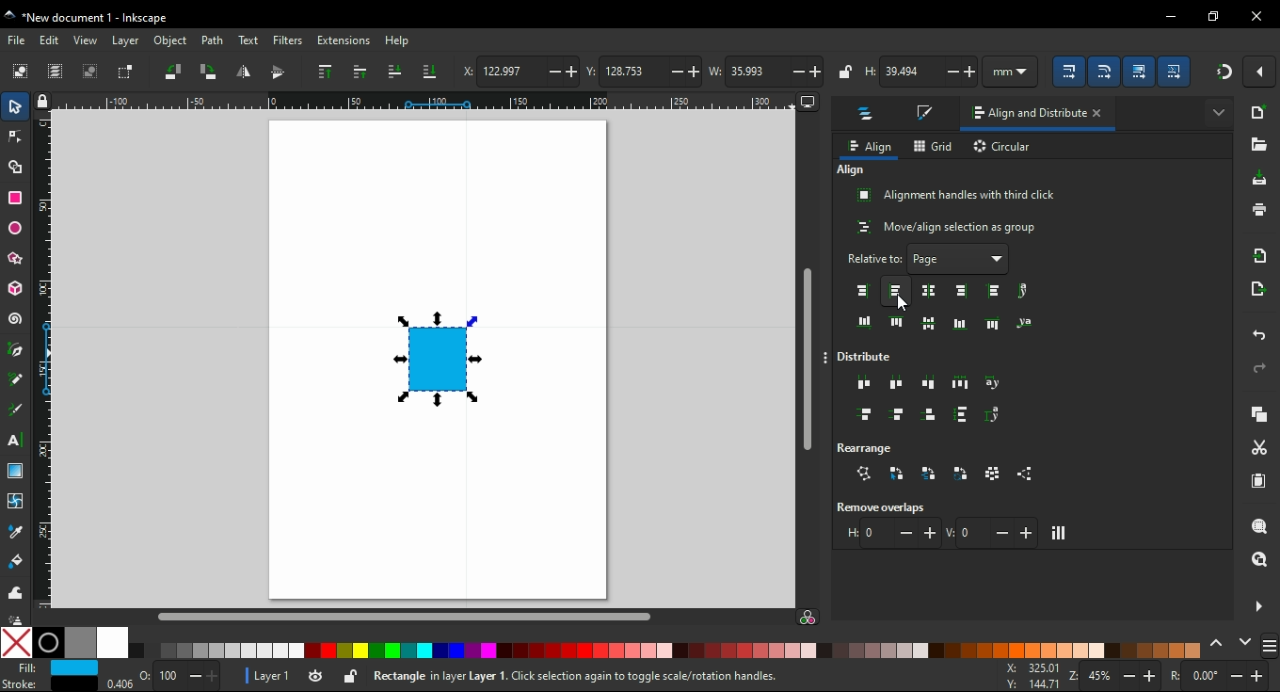 The width and height of the screenshot is (1280, 692). I want to click on lower, so click(394, 70).